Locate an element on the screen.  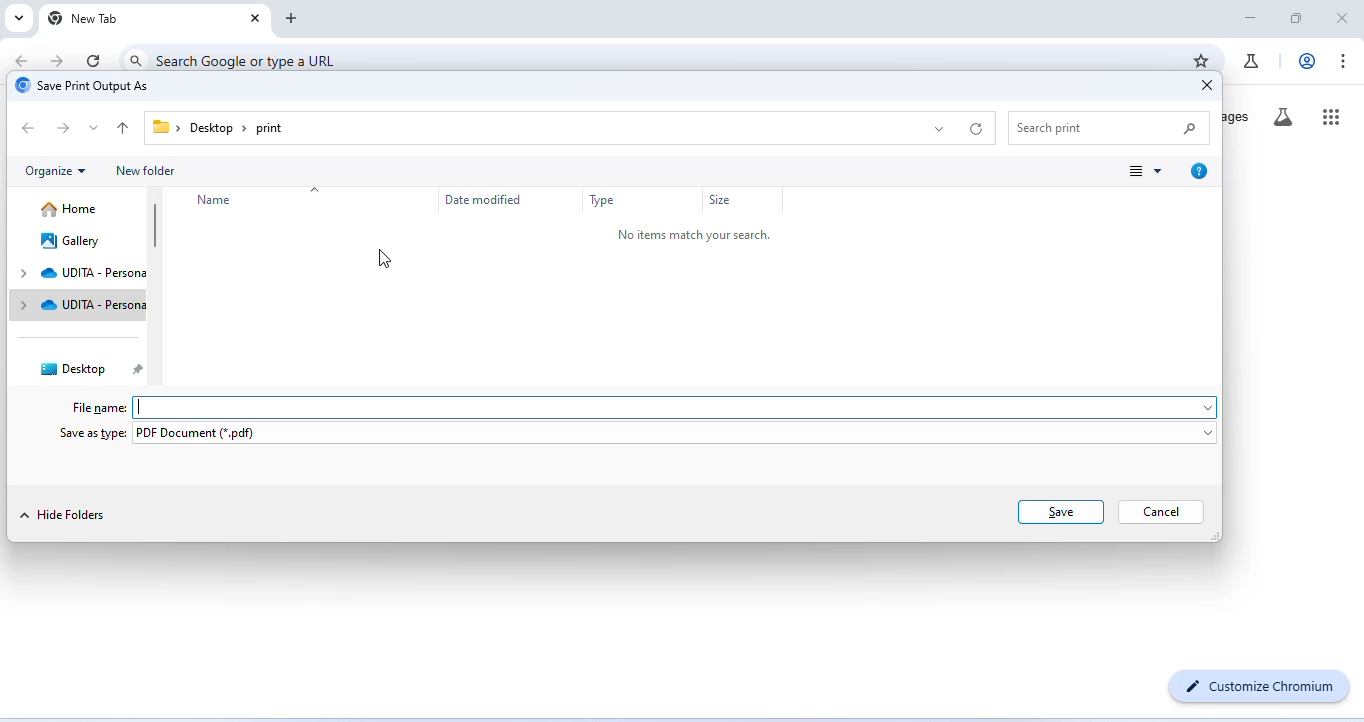
images is located at coordinates (1237, 117).